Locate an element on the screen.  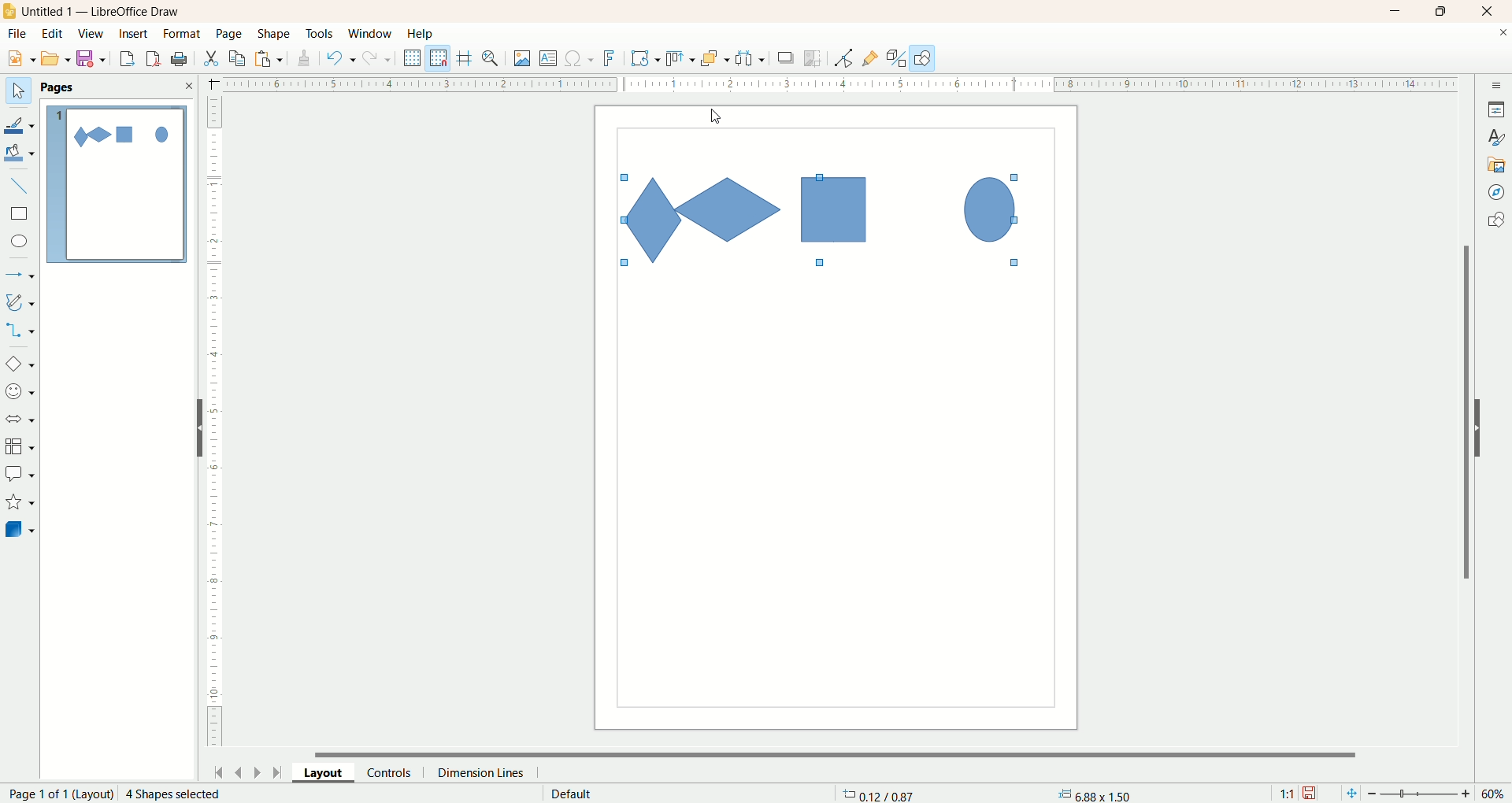
selected shapes is located at coordinates (823, 220).